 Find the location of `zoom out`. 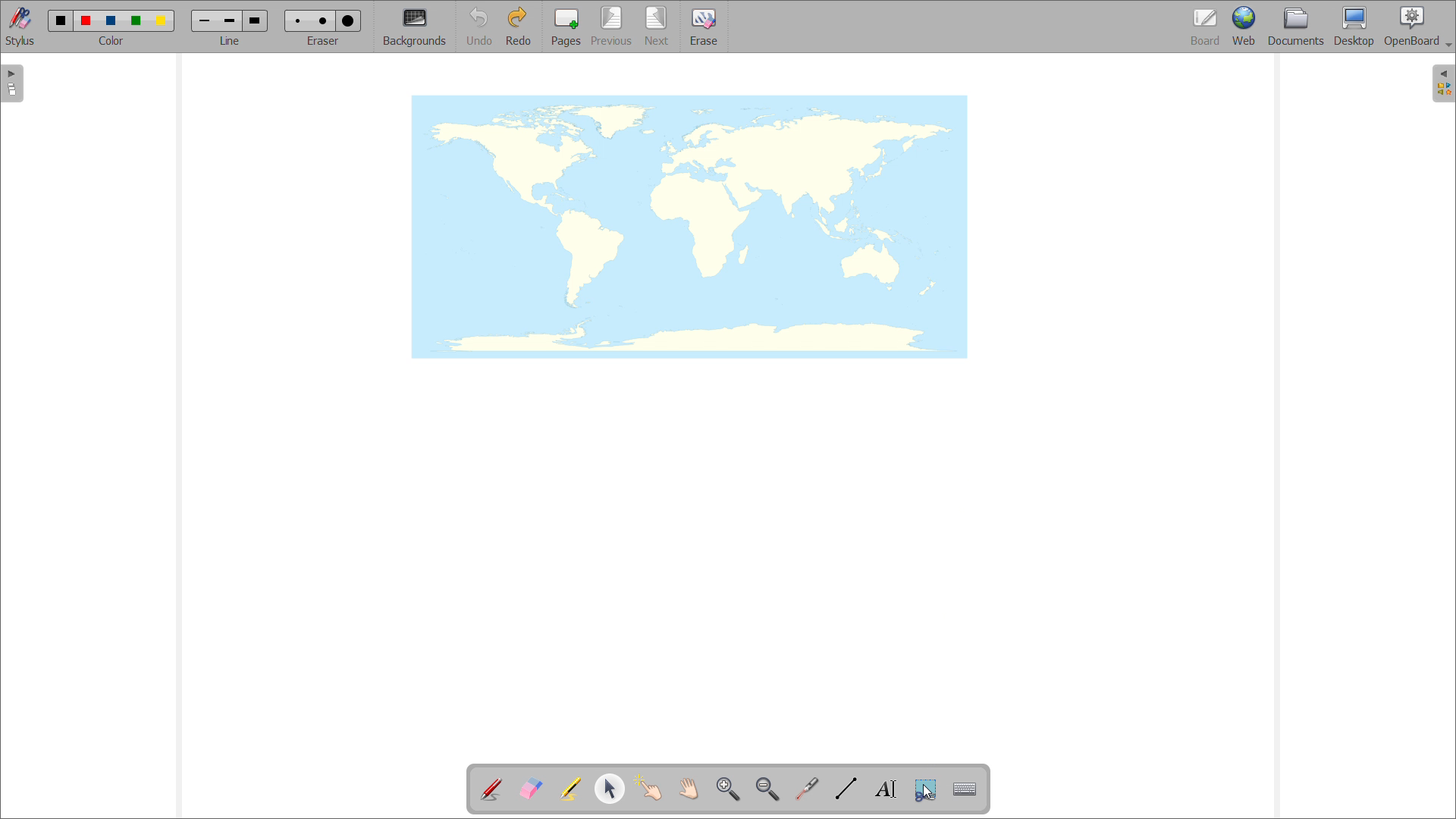

zoom out is located at coordinates (767, 789).